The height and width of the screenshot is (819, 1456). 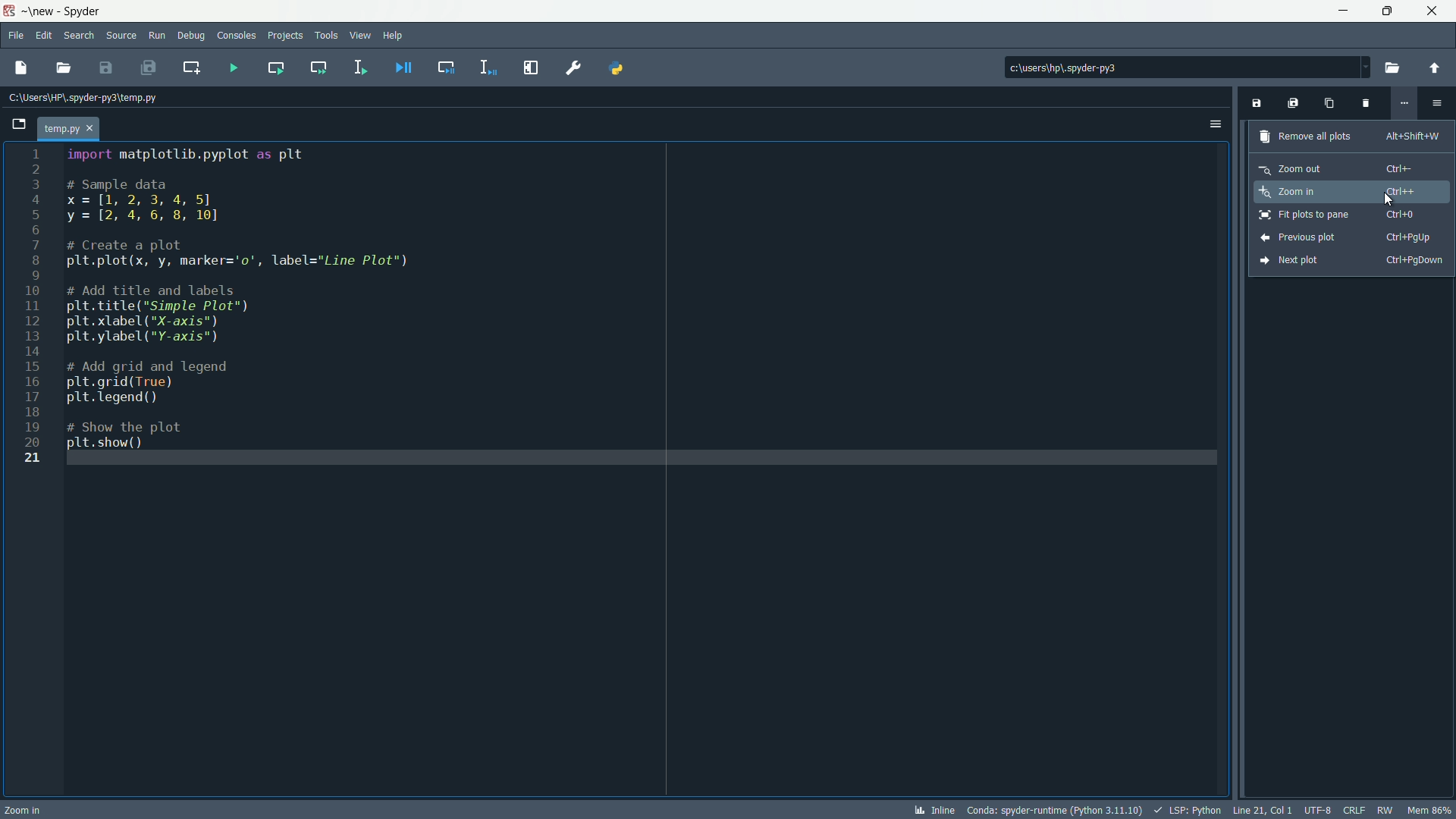 What do you see at coordinates (1345, 237) in the screenshot?
I see `previous plot` at bounding box center [1345, 237].